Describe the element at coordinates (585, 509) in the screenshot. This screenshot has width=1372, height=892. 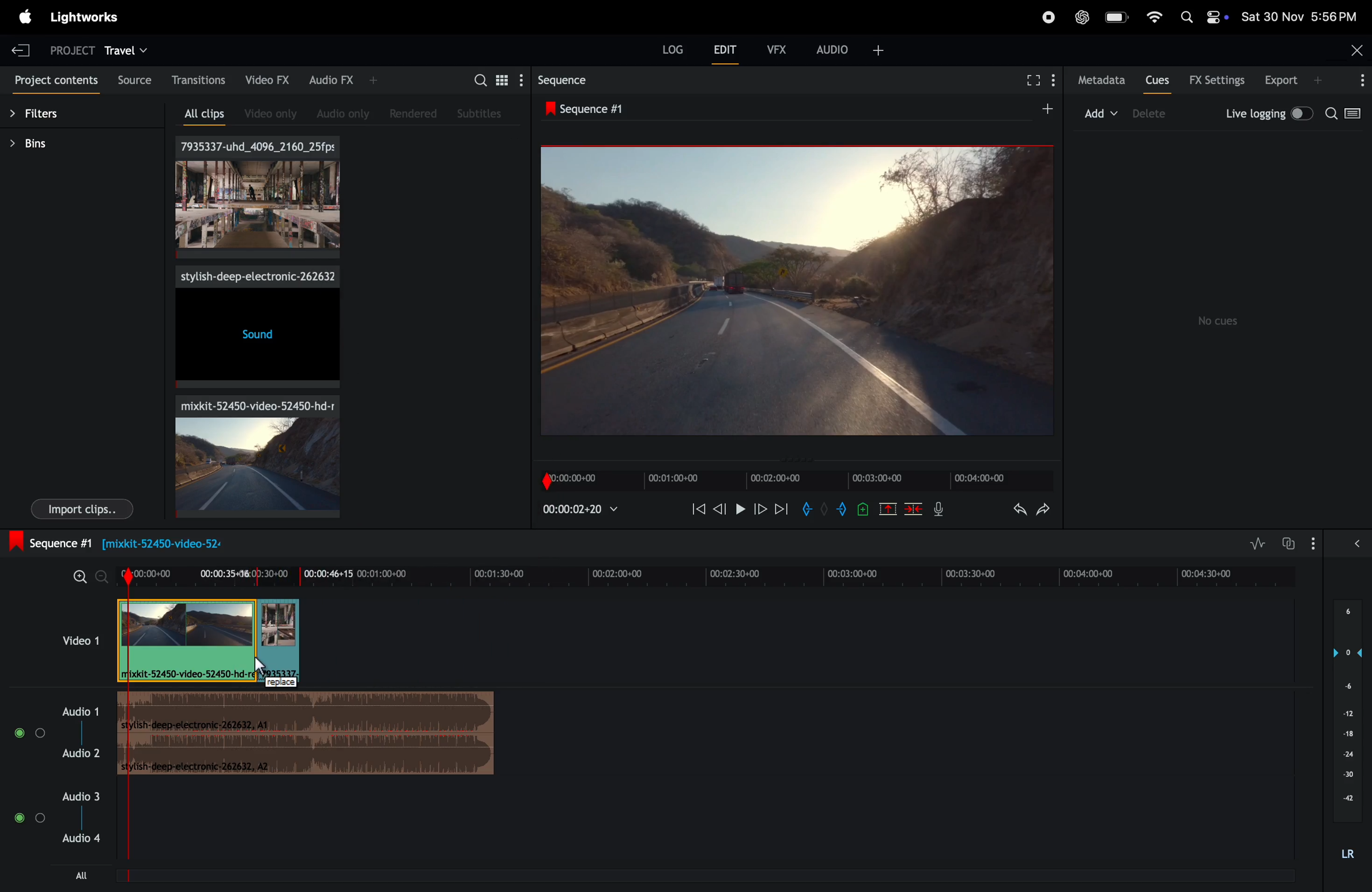
I see `playback time` at that location.